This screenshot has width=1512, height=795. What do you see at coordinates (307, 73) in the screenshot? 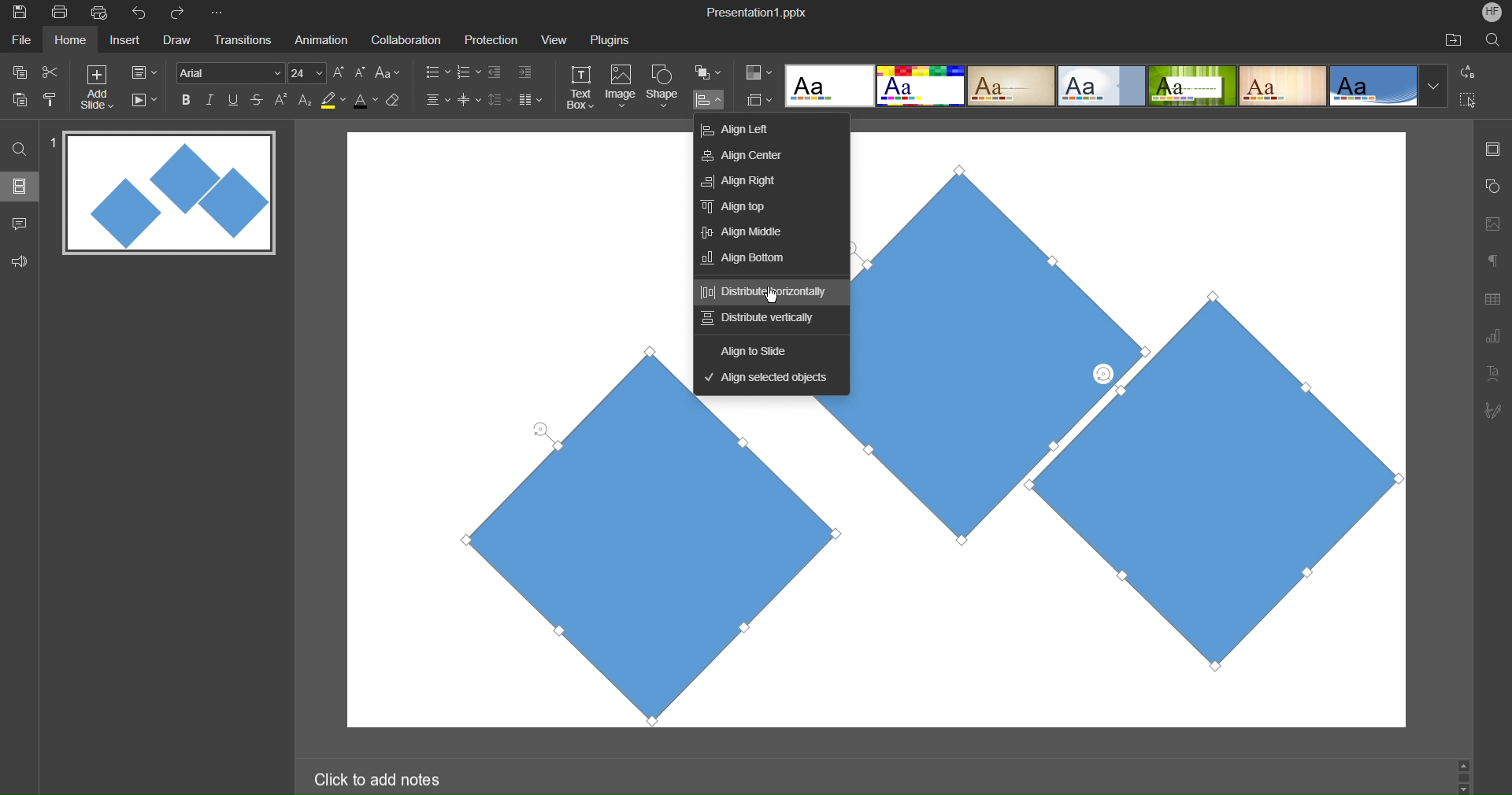
I see `Font Size` at bounding box center [307, 73].